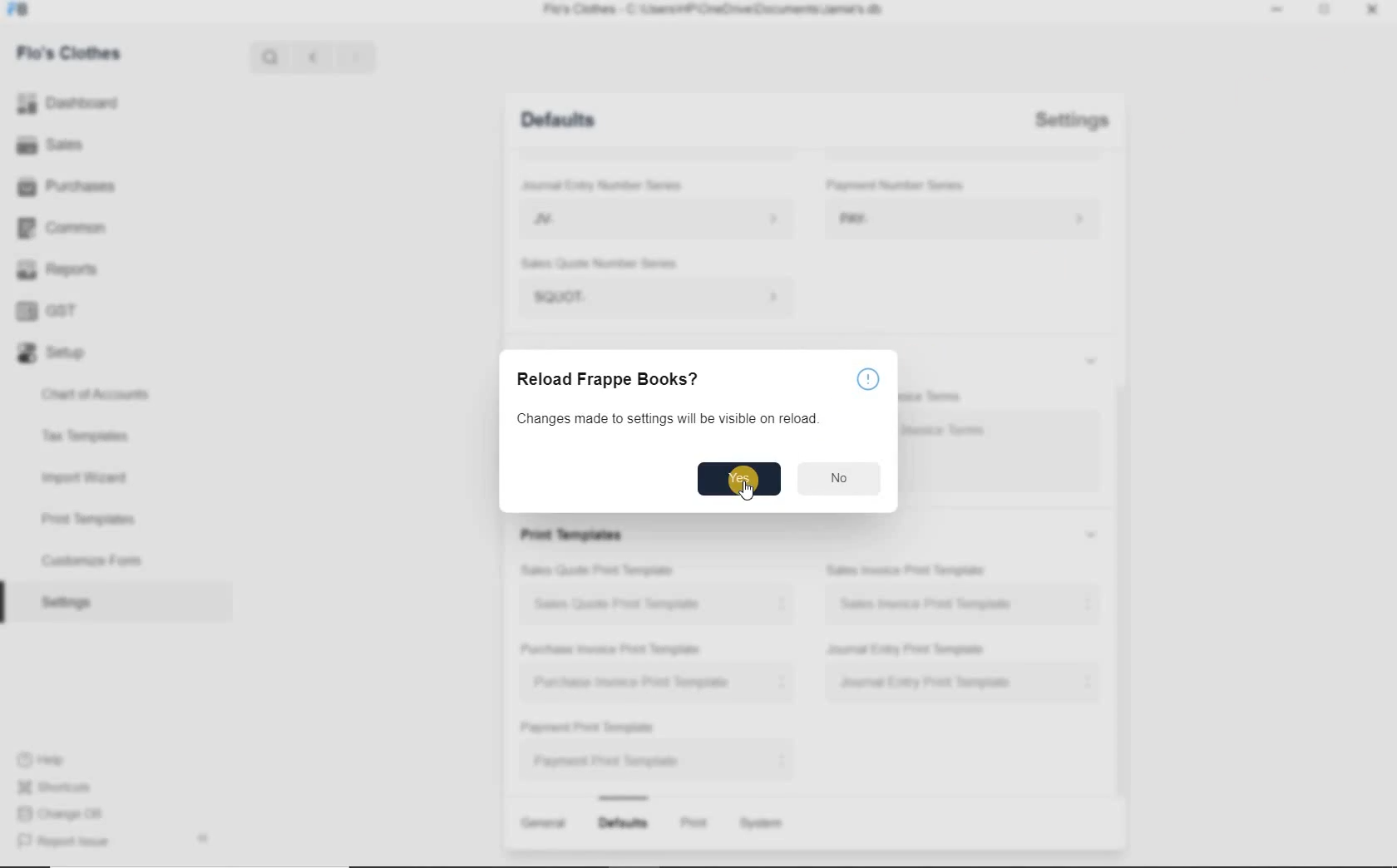 This screenshot has height=868, width=1397. What do you see at coordinates (310, 56) in the screenshot?
I see `Previous` at bounding box center [310, 56].